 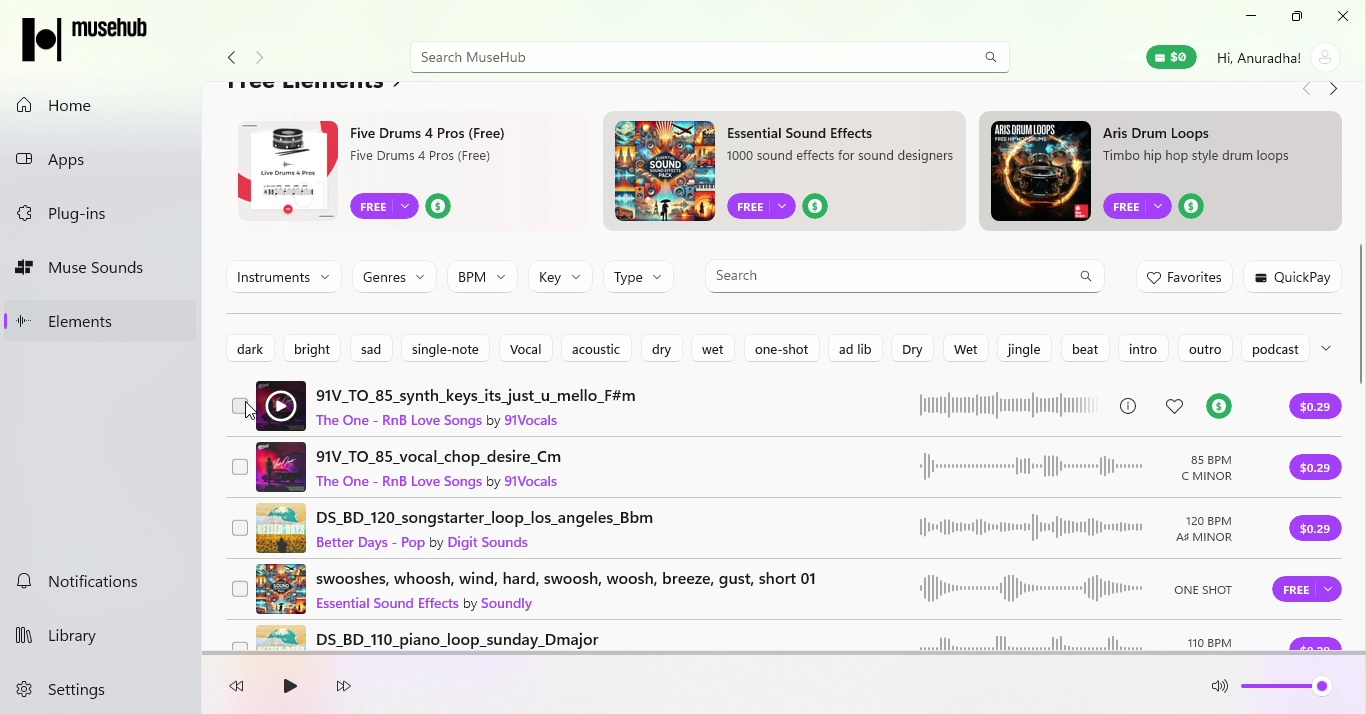 What do you see at coordinates (1217, 408) in the screenshot?
I see `tip` at bounding box center [1217, 408].